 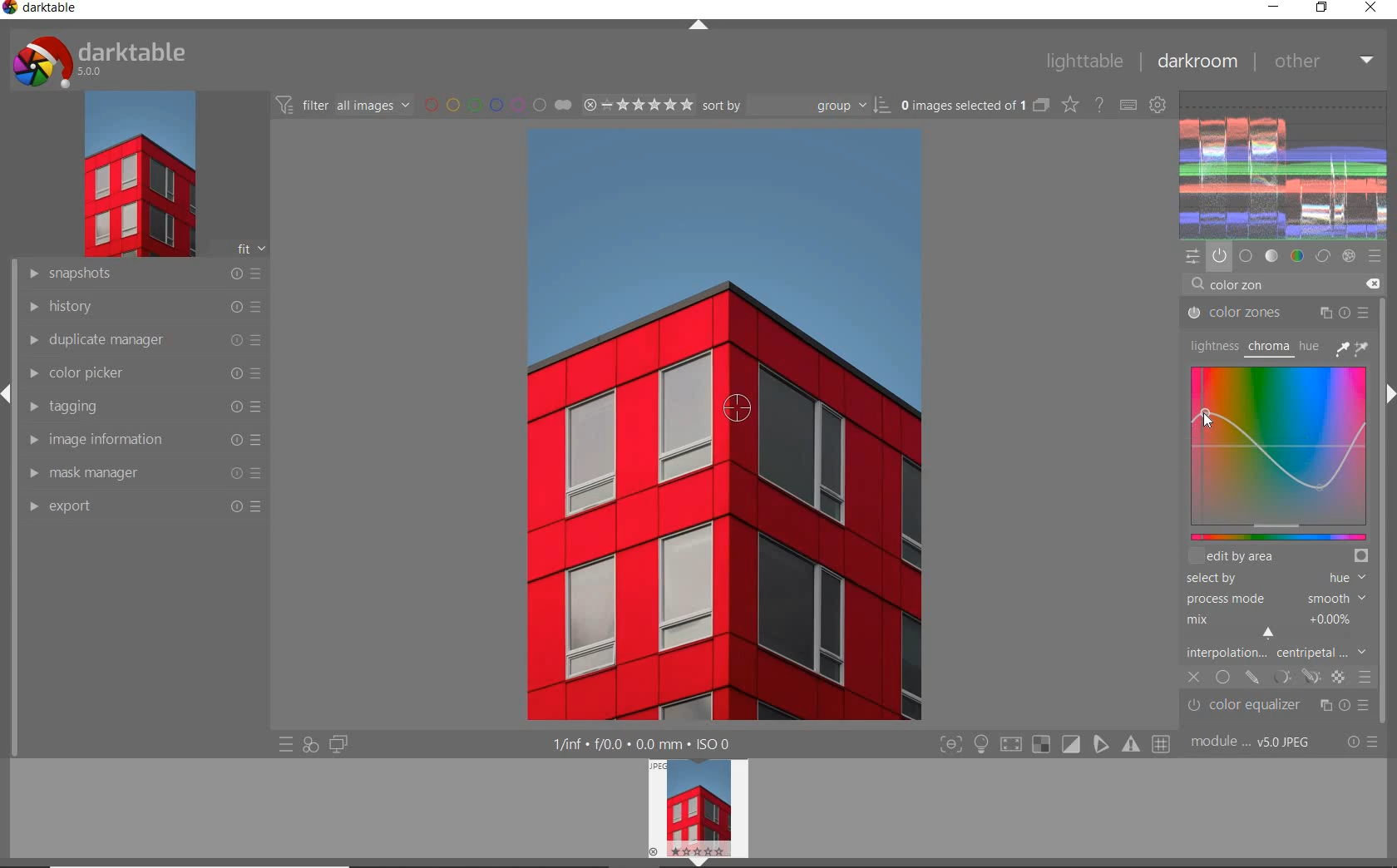 I want to click on color picker, so click(x=142, y=376).